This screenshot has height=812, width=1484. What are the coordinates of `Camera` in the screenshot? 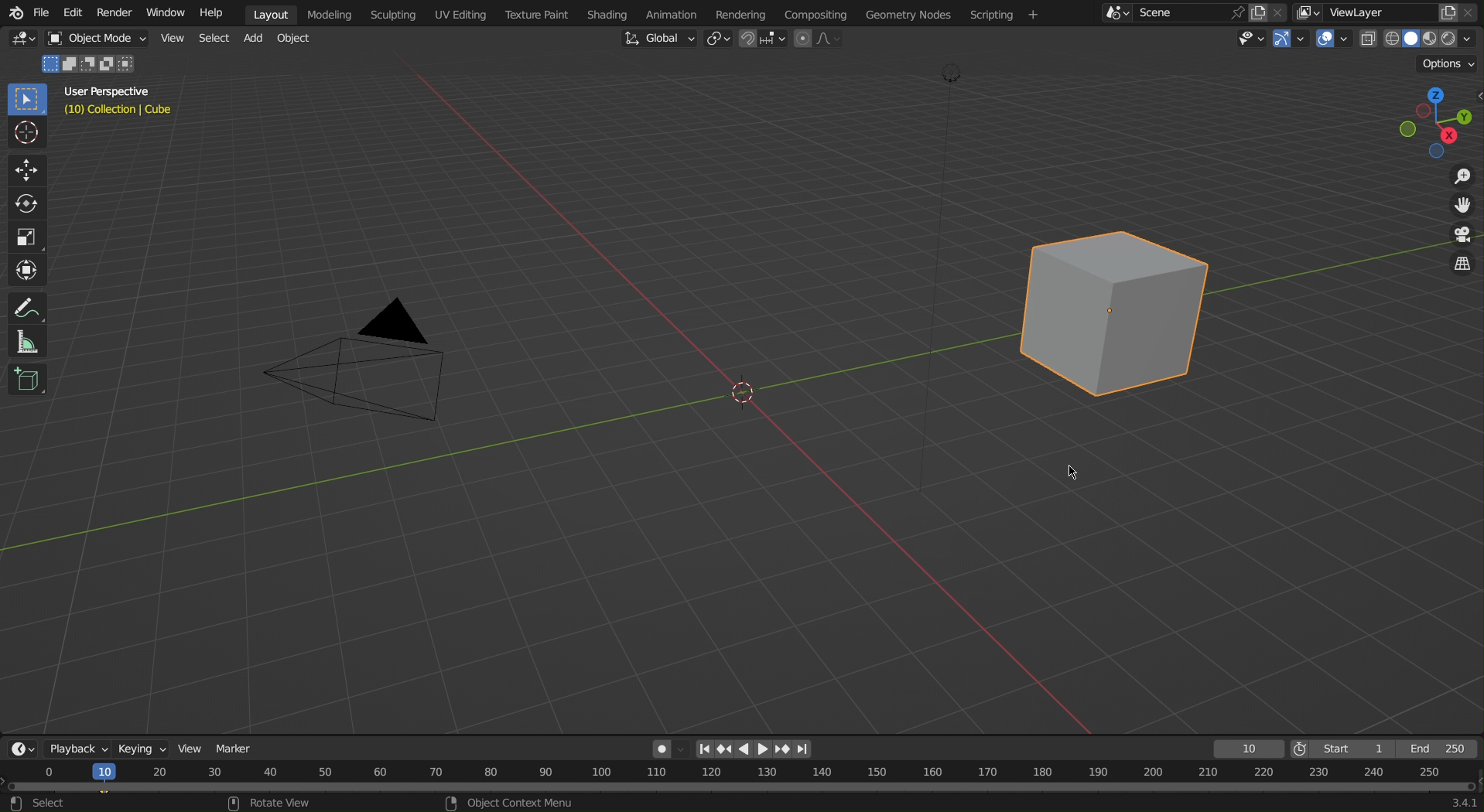 It's located at (365, 370).